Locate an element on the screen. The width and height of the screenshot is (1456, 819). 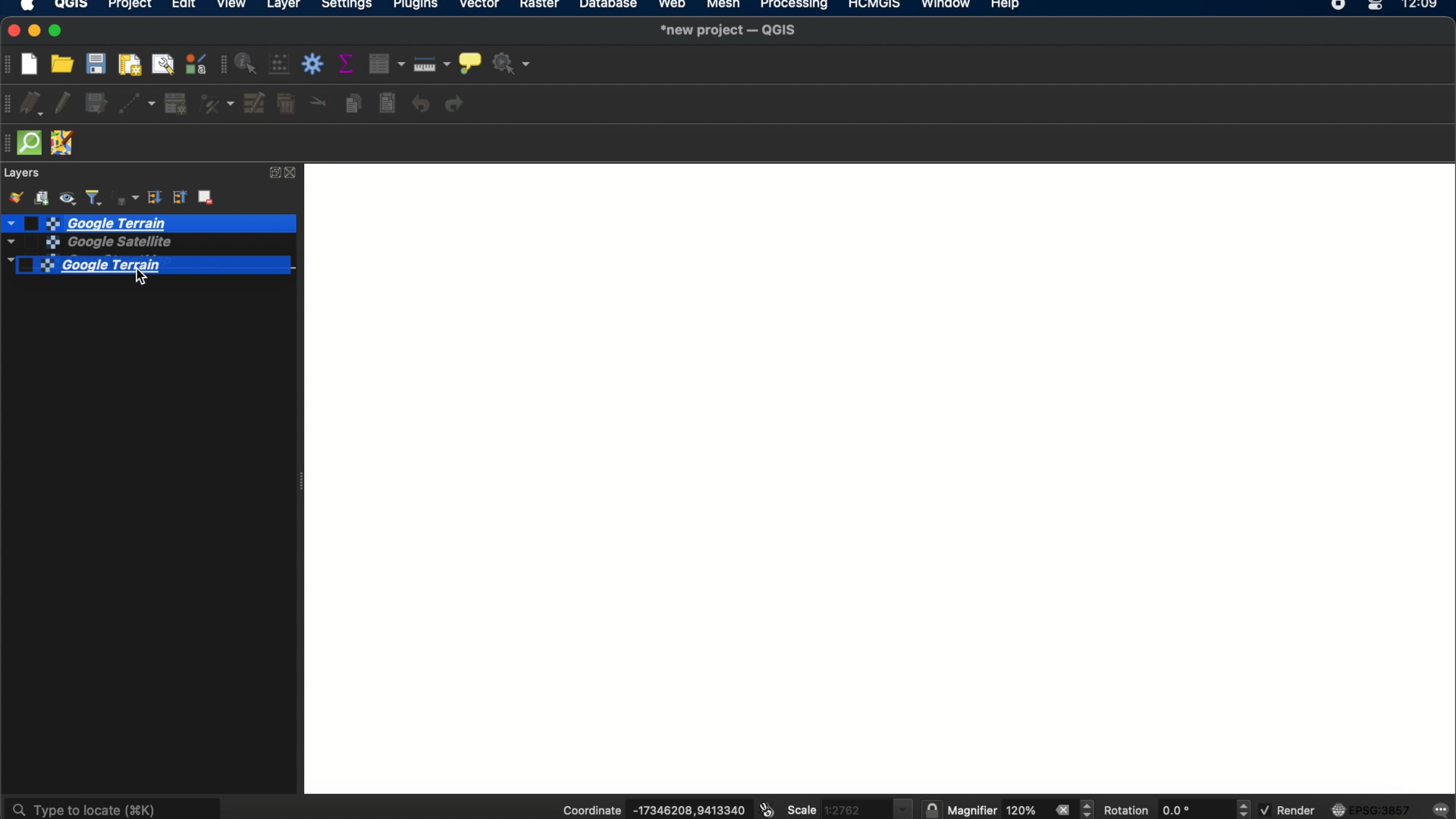
save project t is located at coordinates (97, 64).